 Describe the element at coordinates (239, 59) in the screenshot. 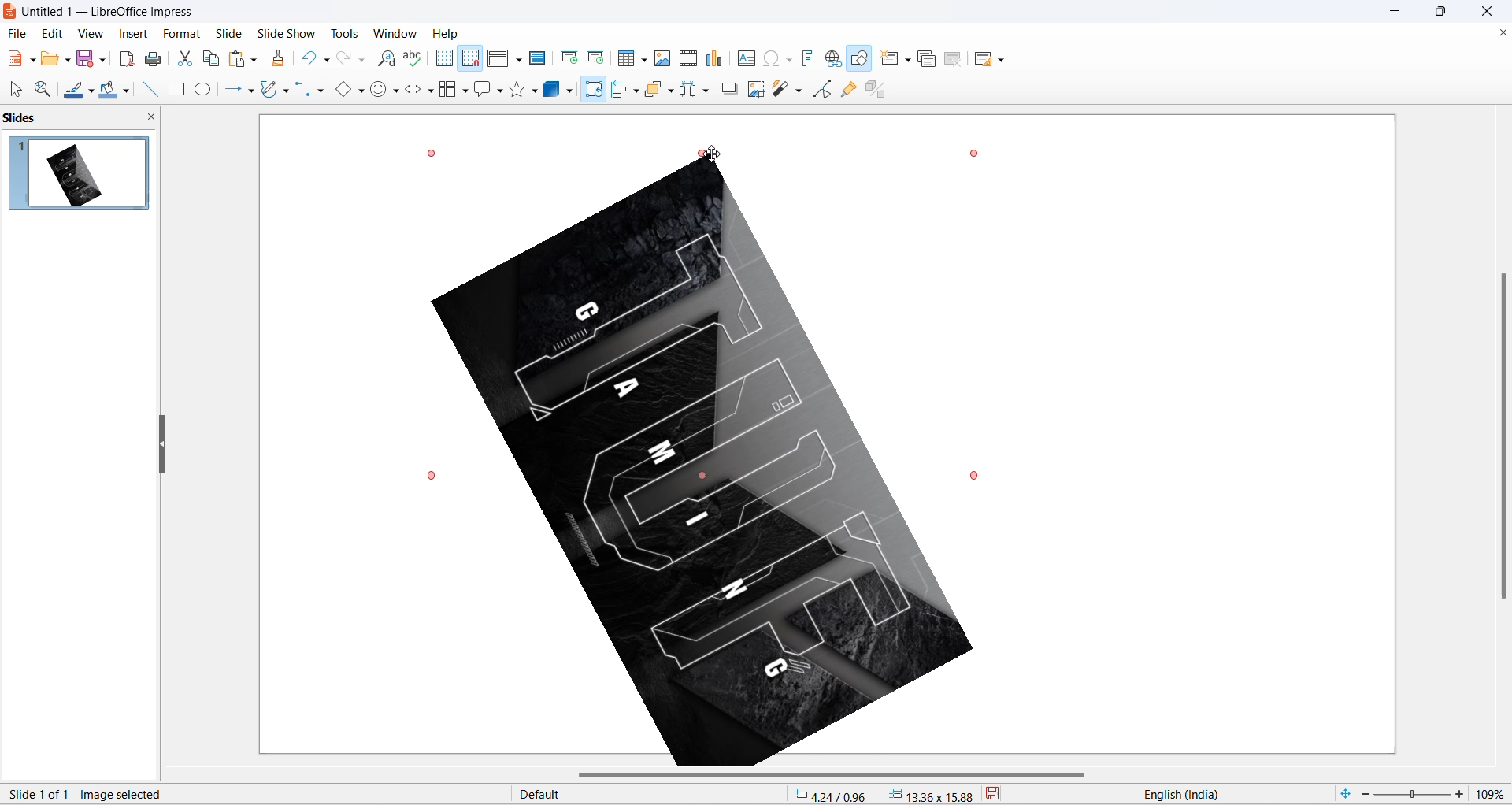

I see `paste` at that location.